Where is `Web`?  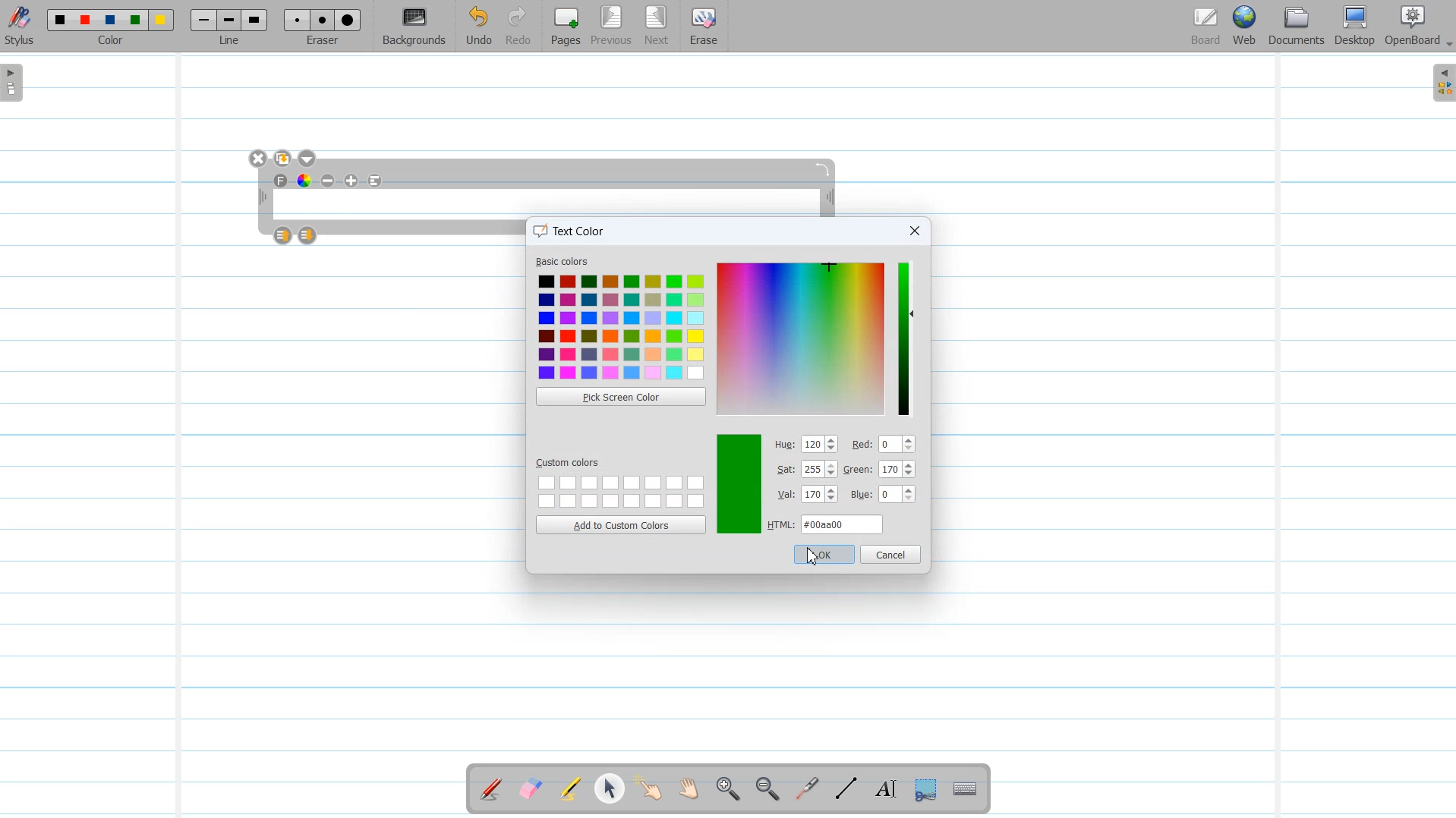
Web is located at coordinates (1246, 27).